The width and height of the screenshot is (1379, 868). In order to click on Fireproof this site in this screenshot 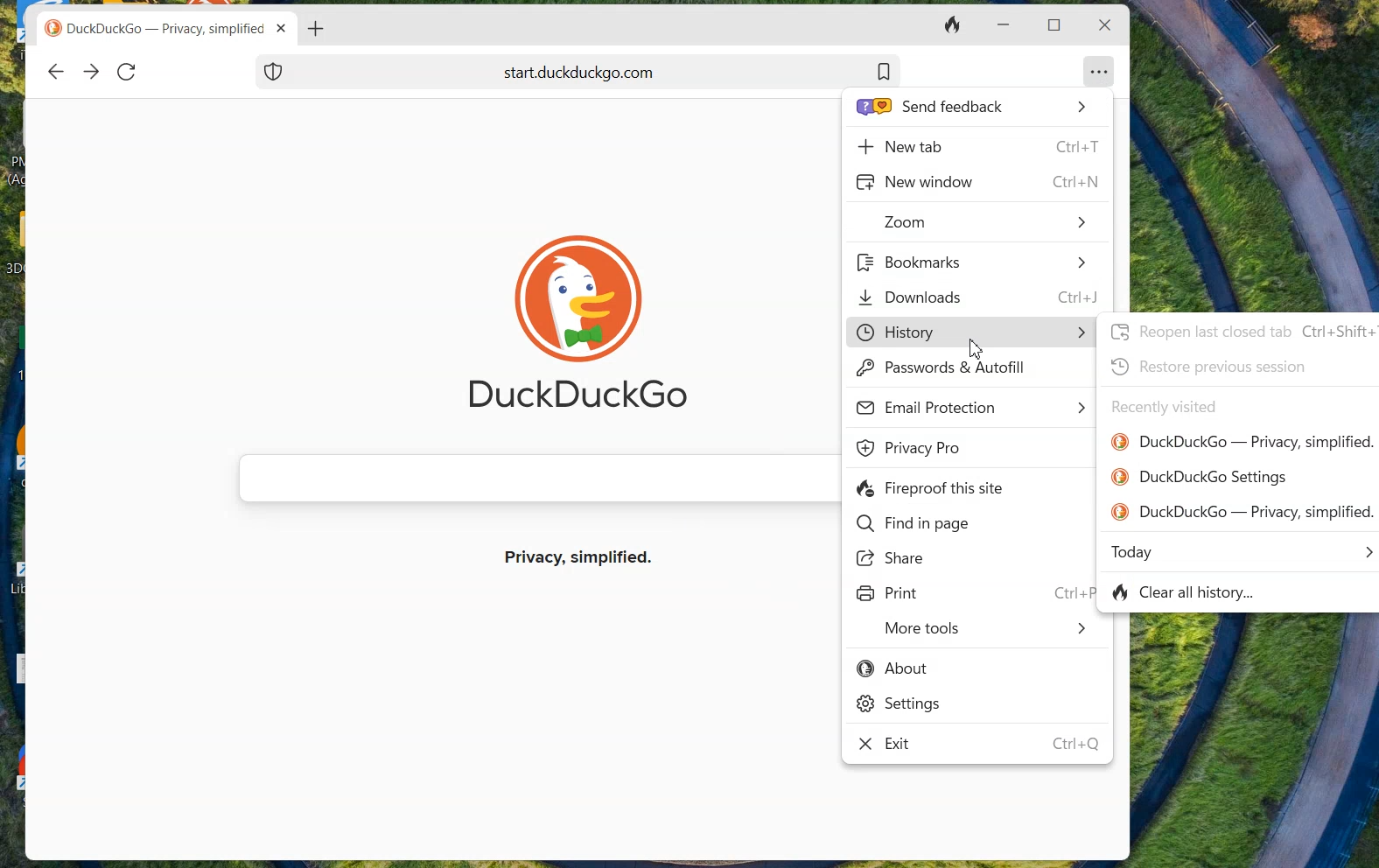, I will do `click(934, 489)`.